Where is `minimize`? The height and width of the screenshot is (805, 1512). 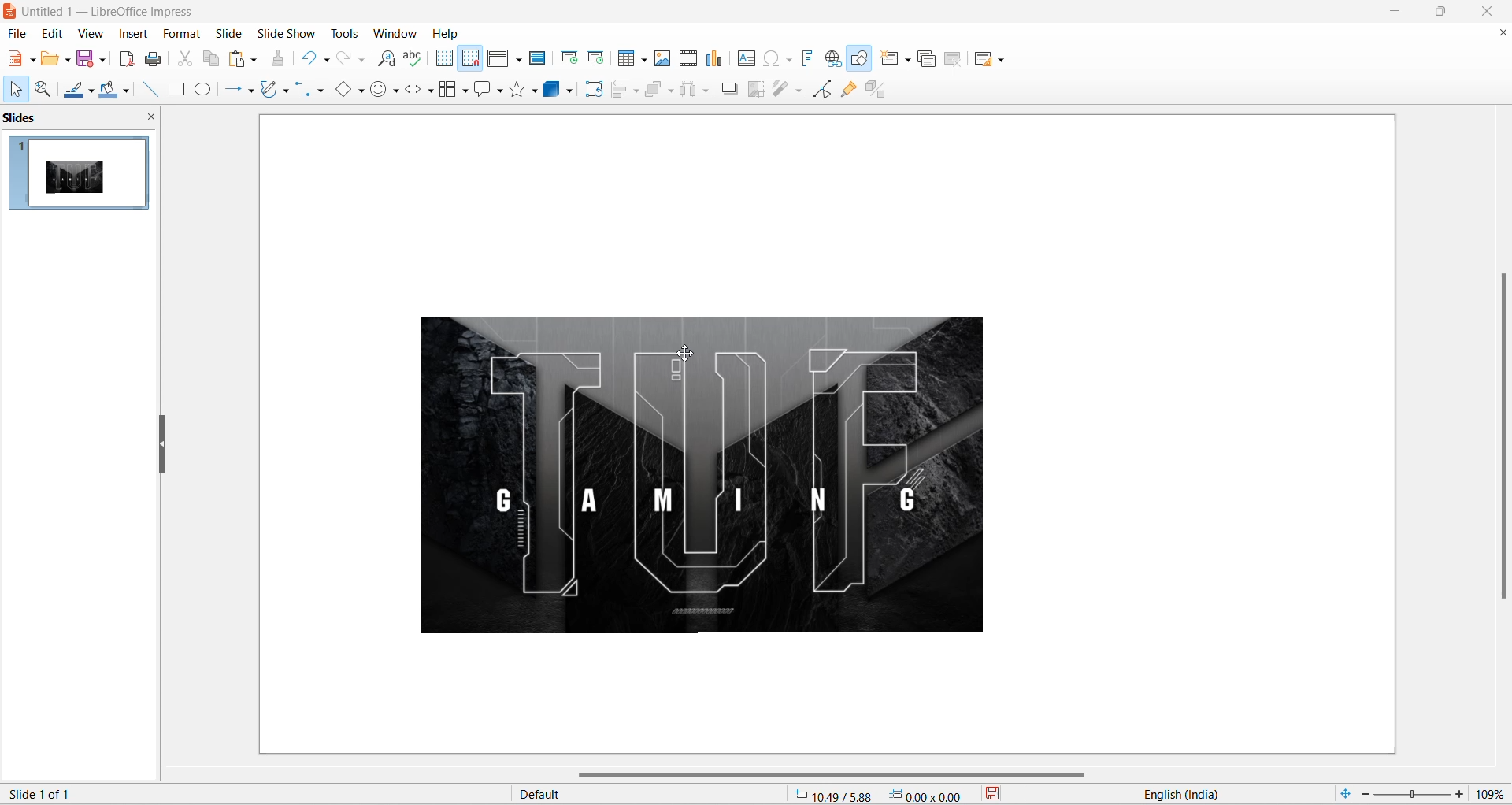
minimize is located at coordinates (1397, 12).